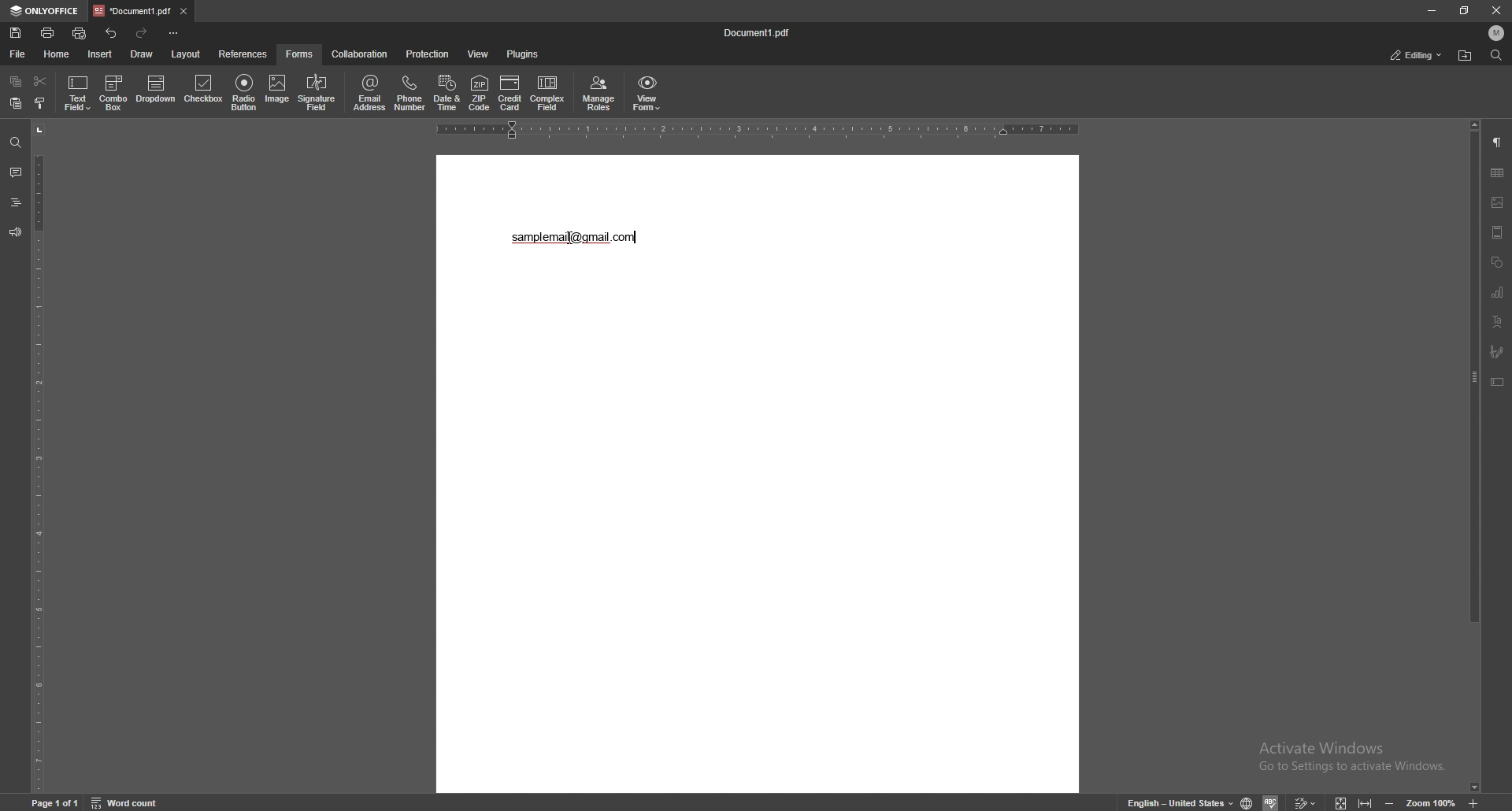 The width and height of the screenshot is (1512, 811). Describe the element at coordinates (1177, 802) in the screenshot. I see `change text language` at that location.